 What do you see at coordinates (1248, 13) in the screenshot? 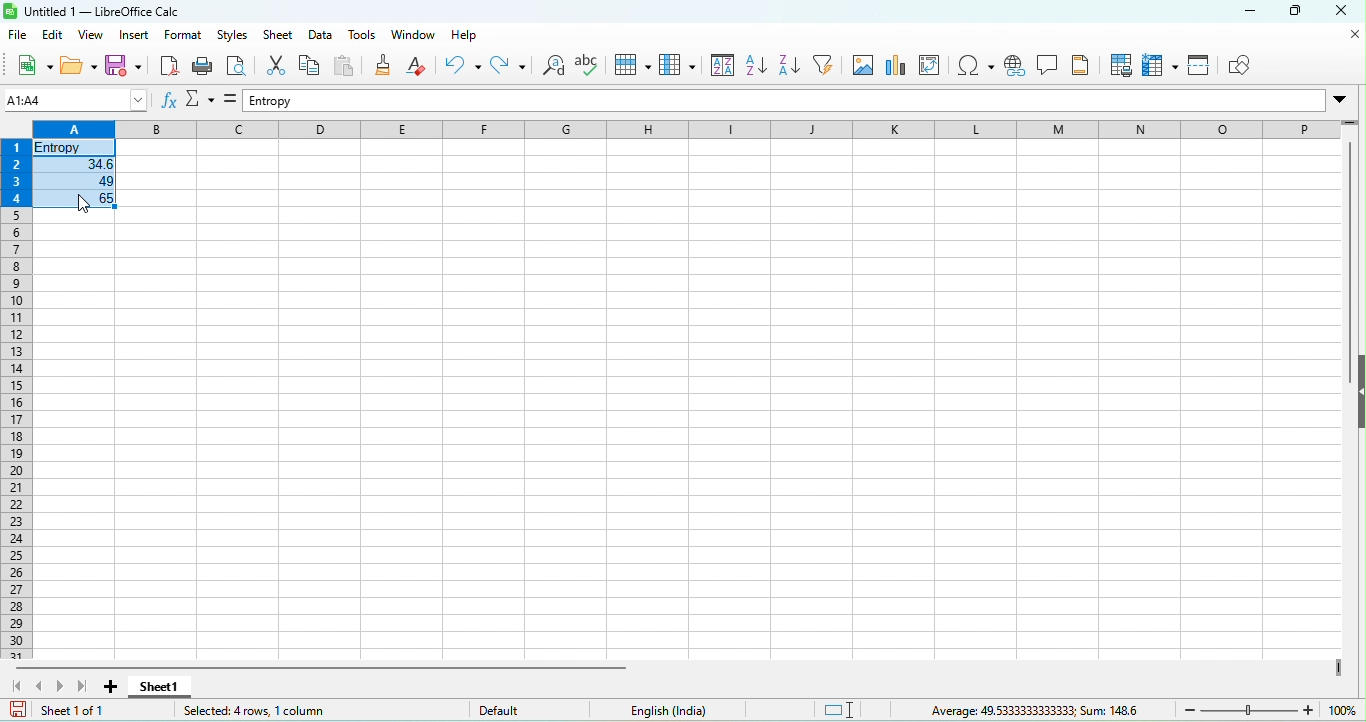
I see `minimize` at bounding box center [1248, 13].